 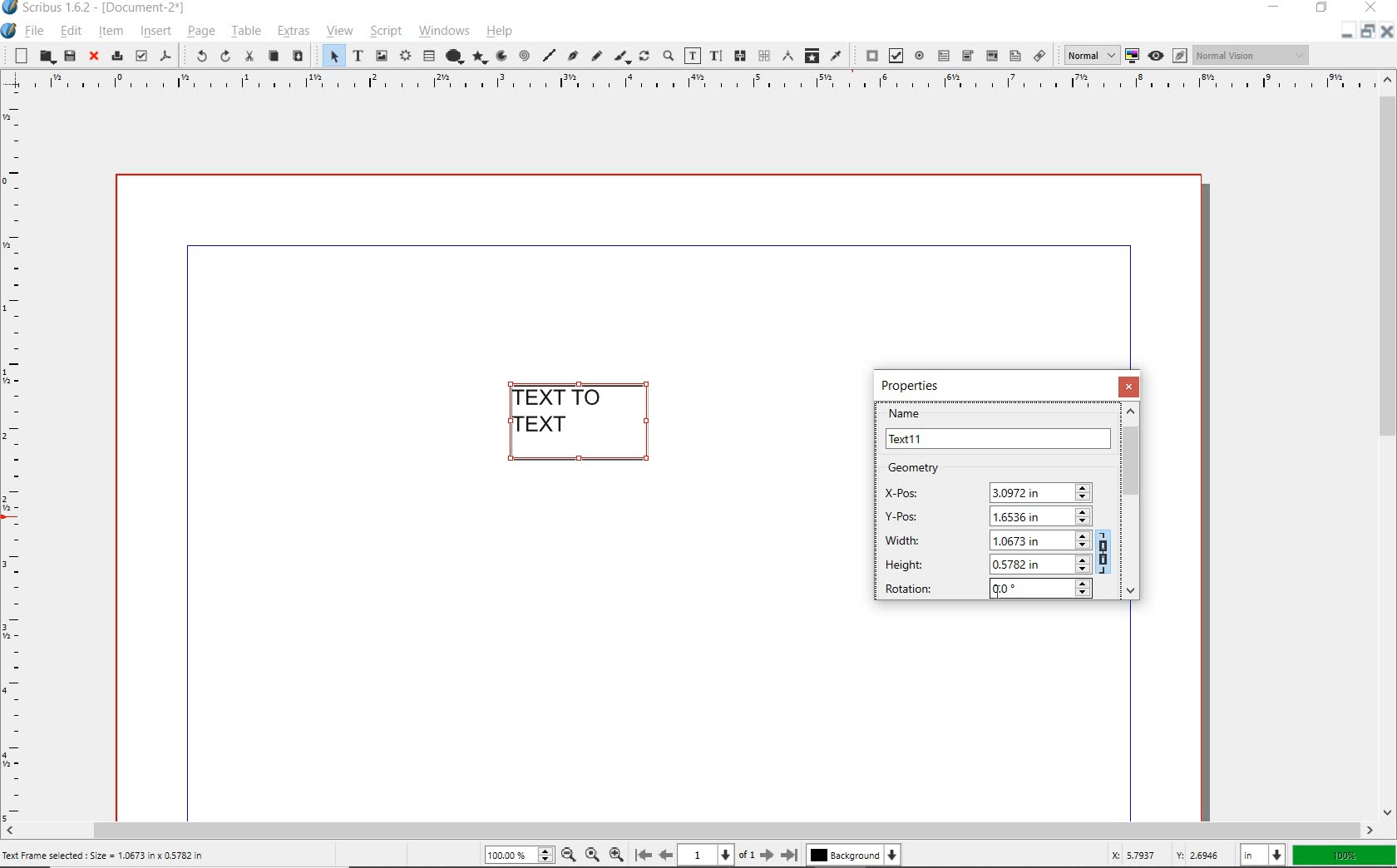 What do you see at coordinates (294, 31) in the screenshot?
I see `extras` at bounding box center [294, 31].